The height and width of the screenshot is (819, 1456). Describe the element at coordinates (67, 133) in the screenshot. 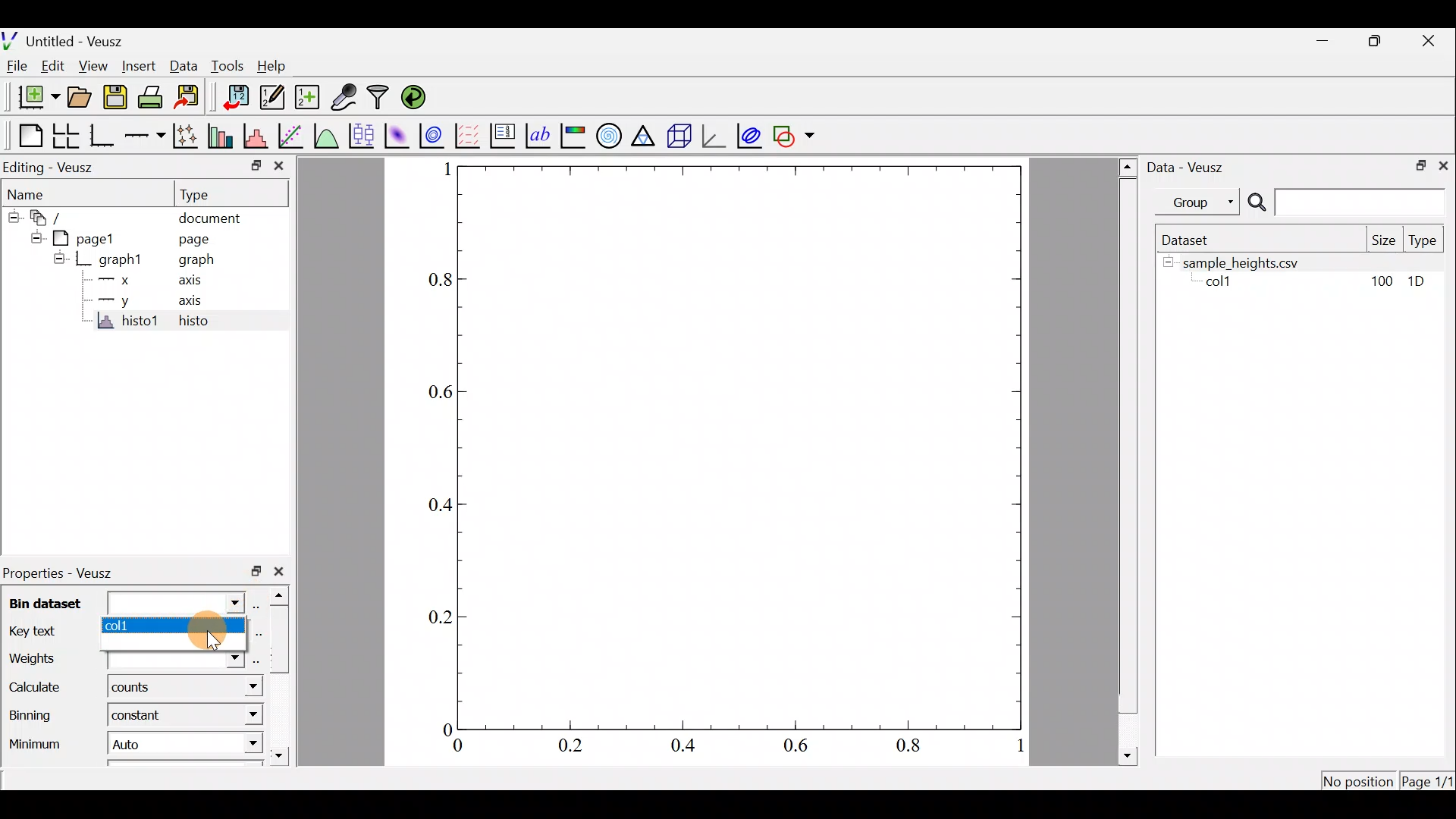

I see `arrange graphs in a grid` at that location.